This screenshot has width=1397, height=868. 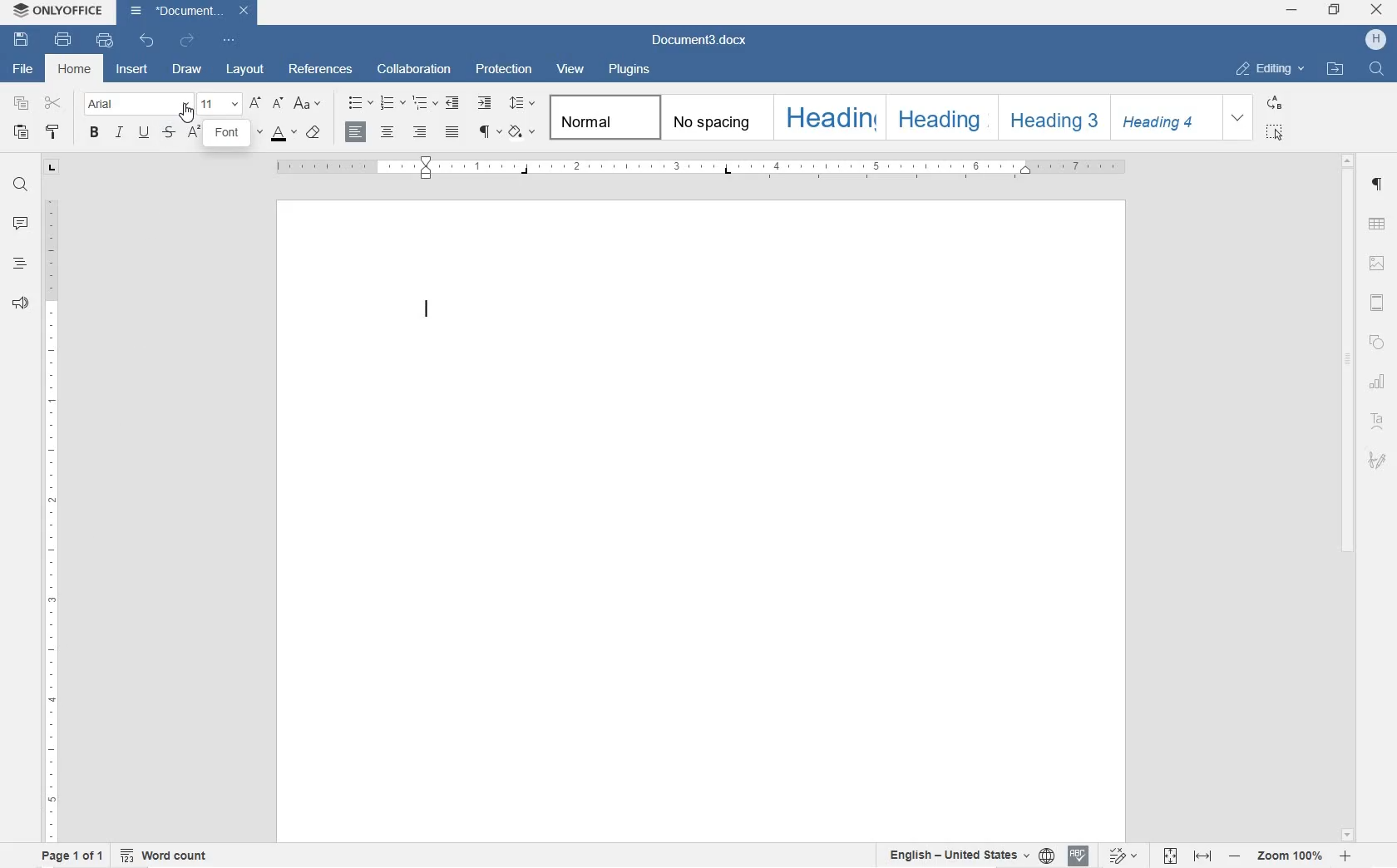 I want to click on CUSTOMIZE QUICK ACCESS TOOLBAR, so click(x=230, y=41).